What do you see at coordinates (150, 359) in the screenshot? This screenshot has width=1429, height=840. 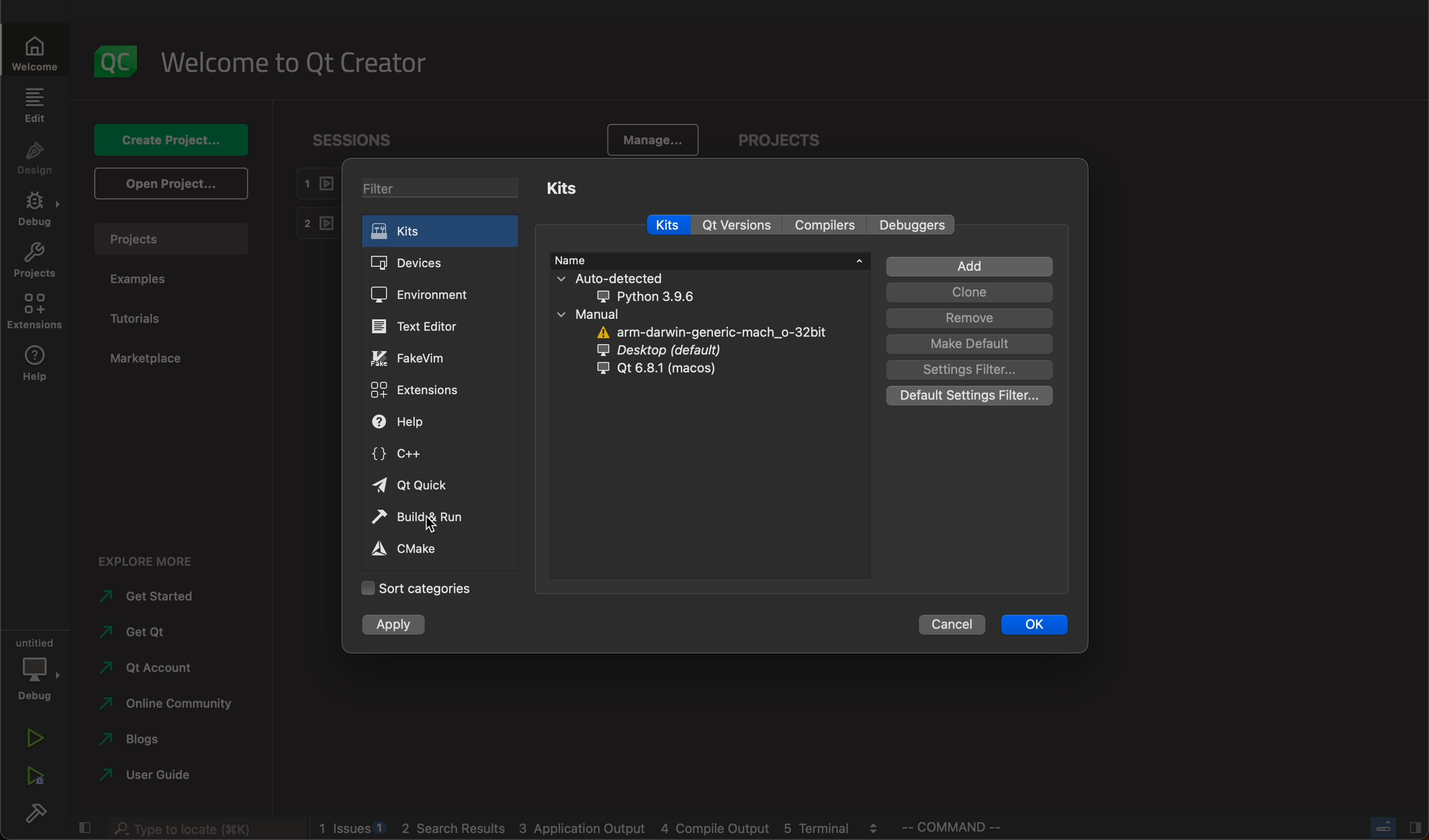 I see `marketplace` at bounding box center [150, 359].